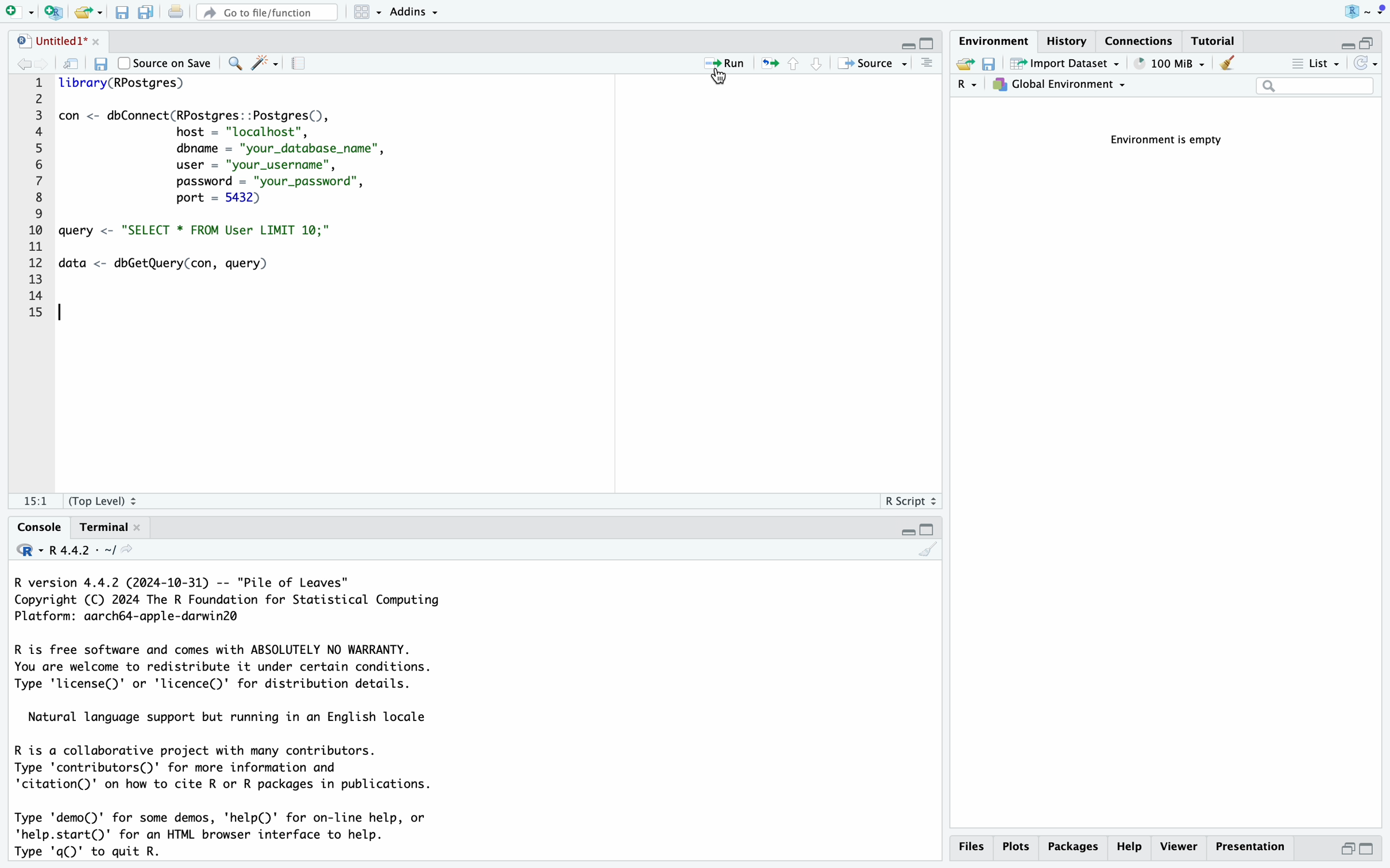 This screenshot has height=868, width=1390. I want to click on go to next section/chunk, so click(818, 68).